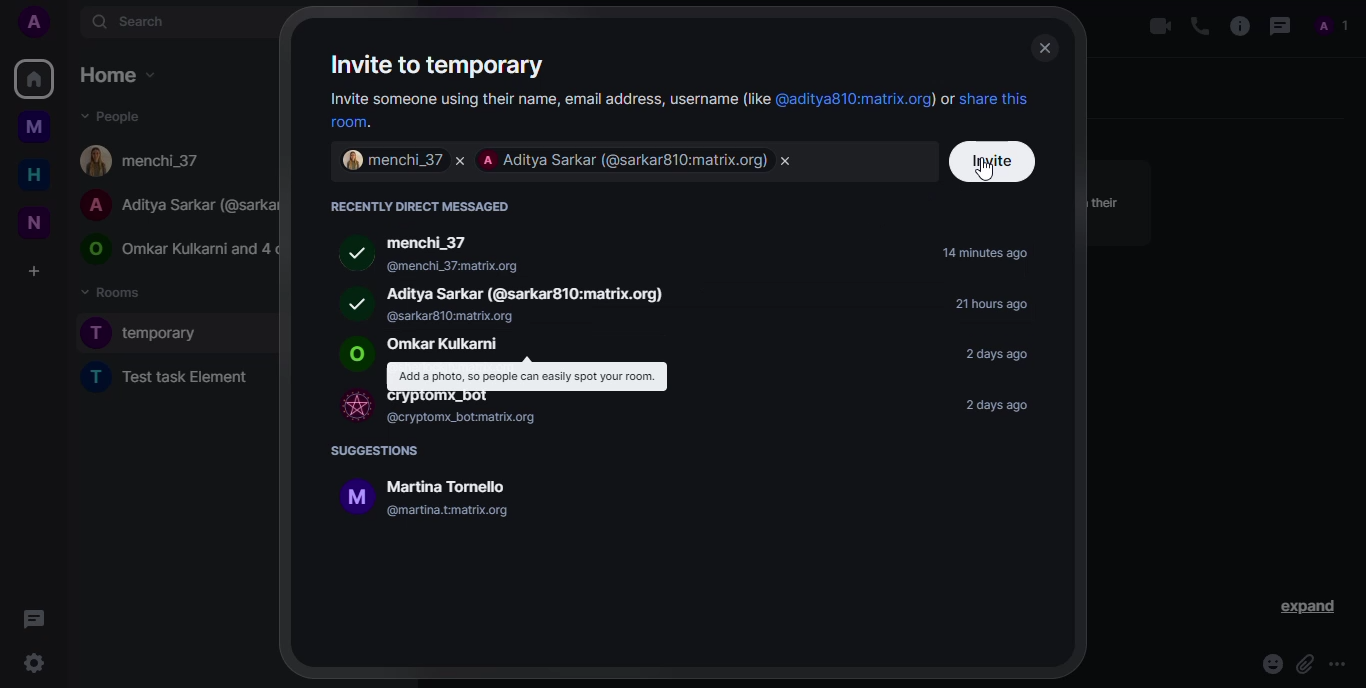 The image size is (1366, 688). Describe the element at coordinates (350, 498) in the screenshot. I see `Profile picture` at that location.